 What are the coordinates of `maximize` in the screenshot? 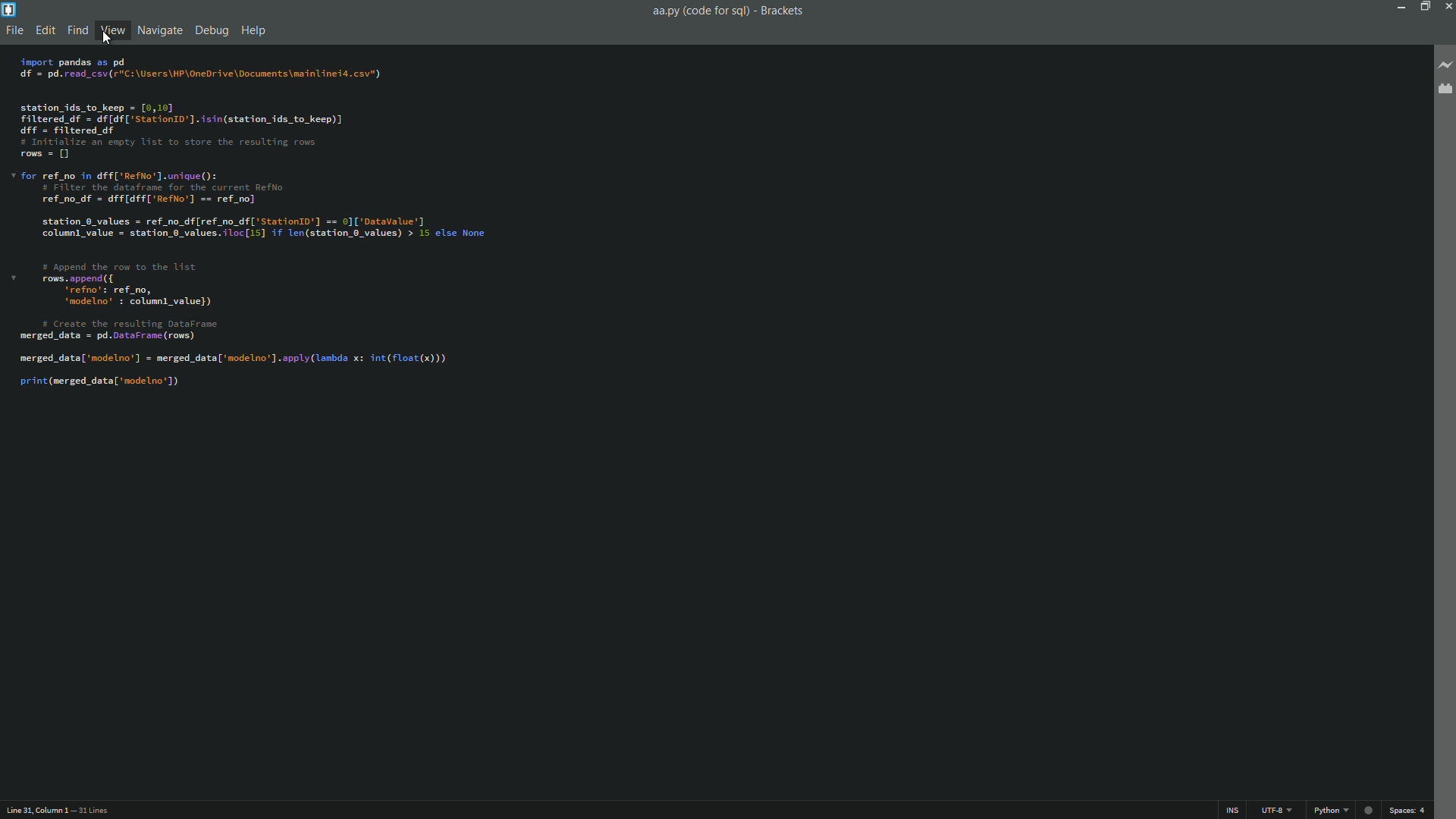 It's located at (1423, 6).